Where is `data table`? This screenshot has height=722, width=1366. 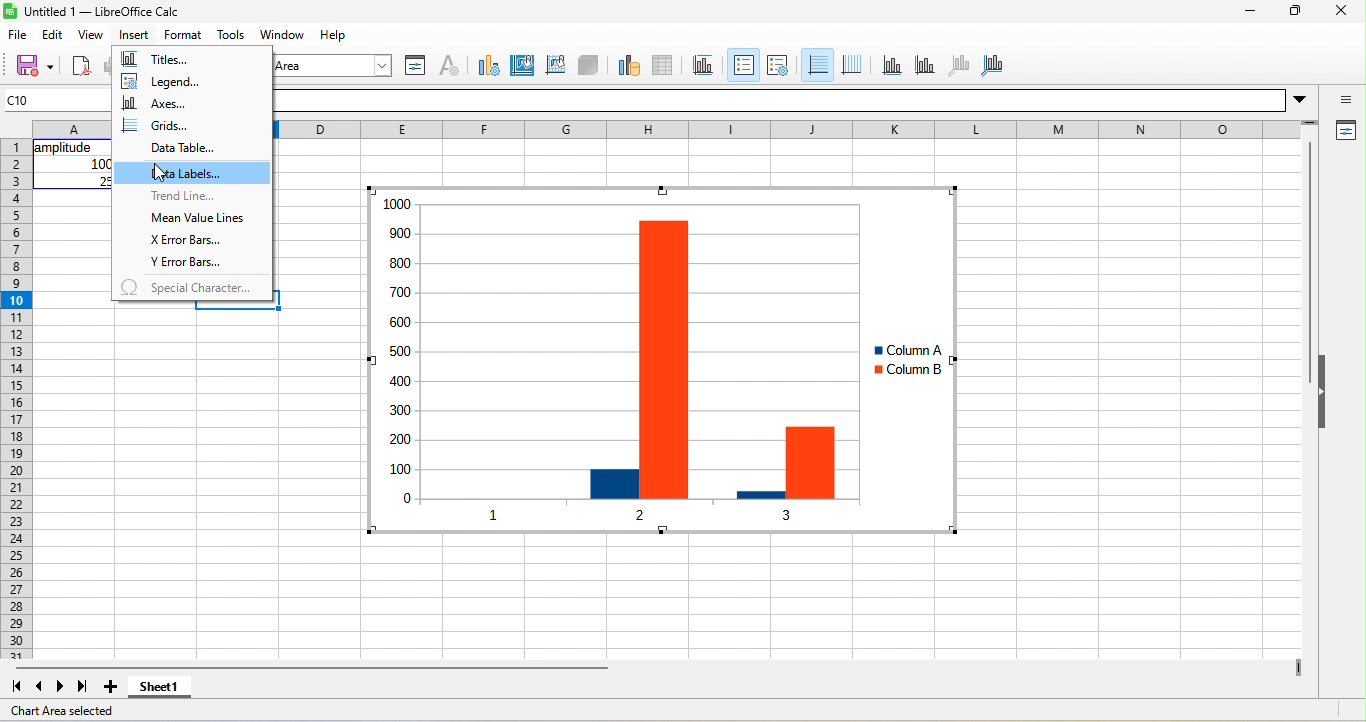 data table is located at coordinates (179, 149).